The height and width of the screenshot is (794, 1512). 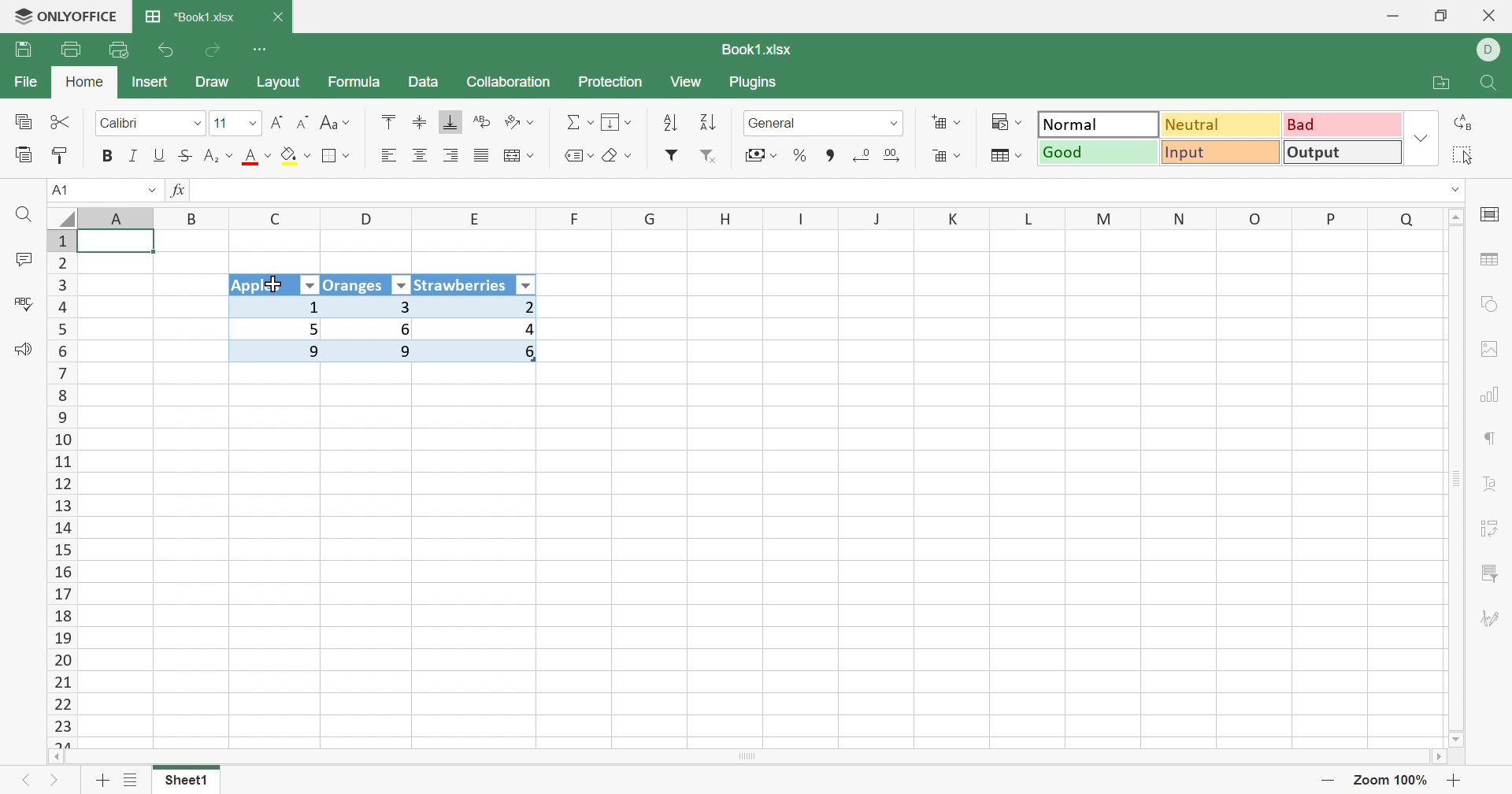 What do you see at coordinates (1010, 122) in the screenshot?
I see `Conditional formatting` at bounding box center [1010, 122].